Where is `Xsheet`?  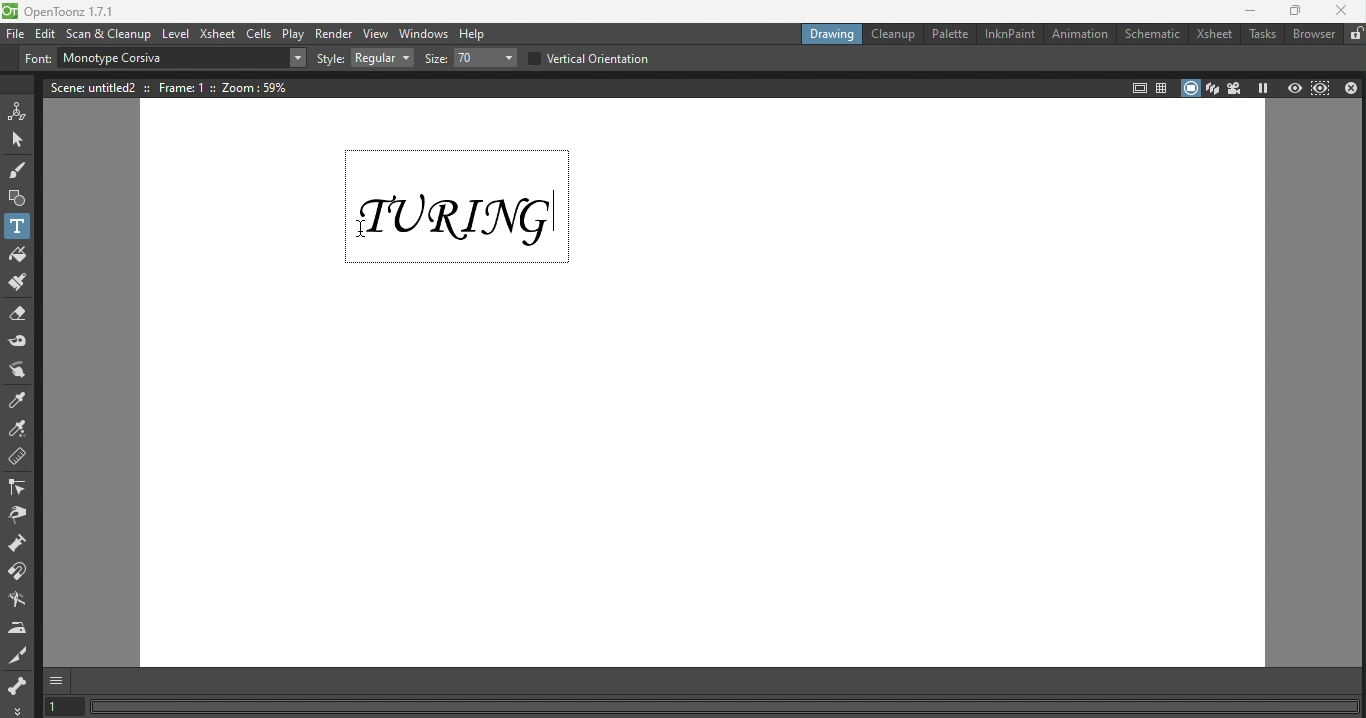
Xsheet is located at coordinates (1213, 35).